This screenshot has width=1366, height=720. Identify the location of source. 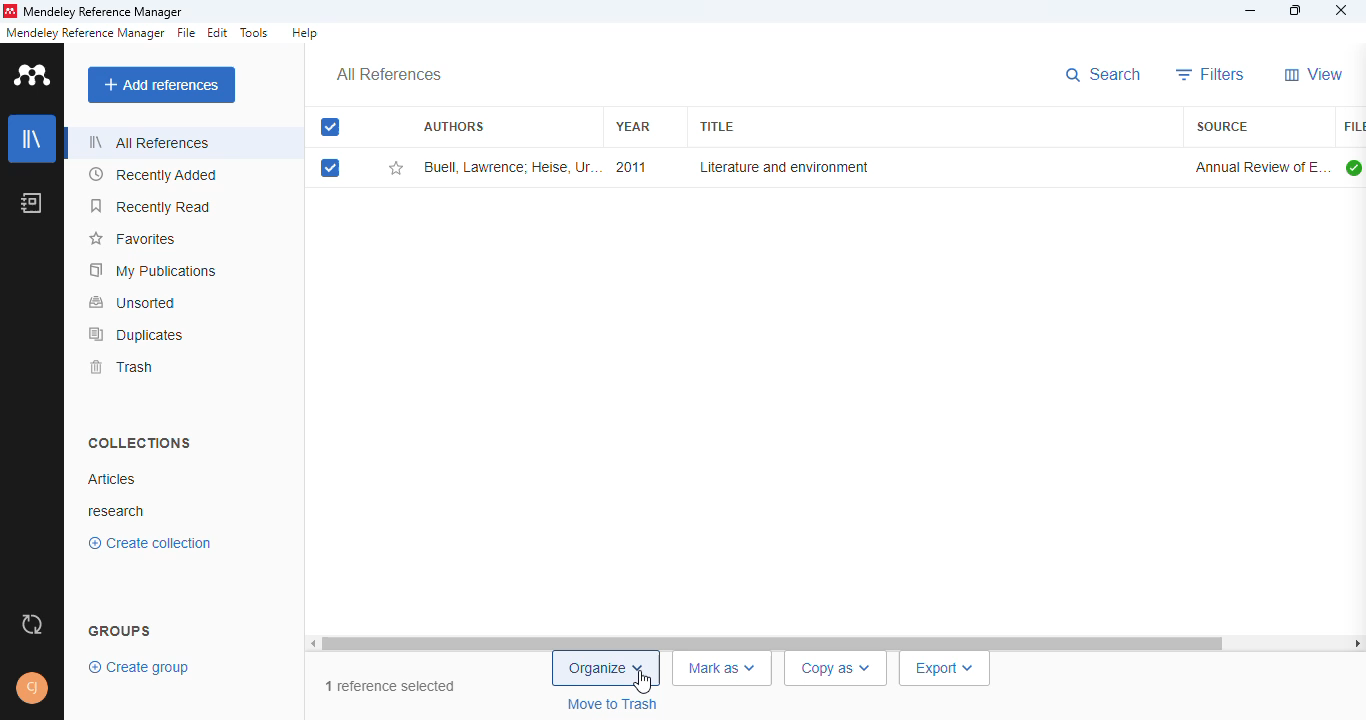
(1222, 126).